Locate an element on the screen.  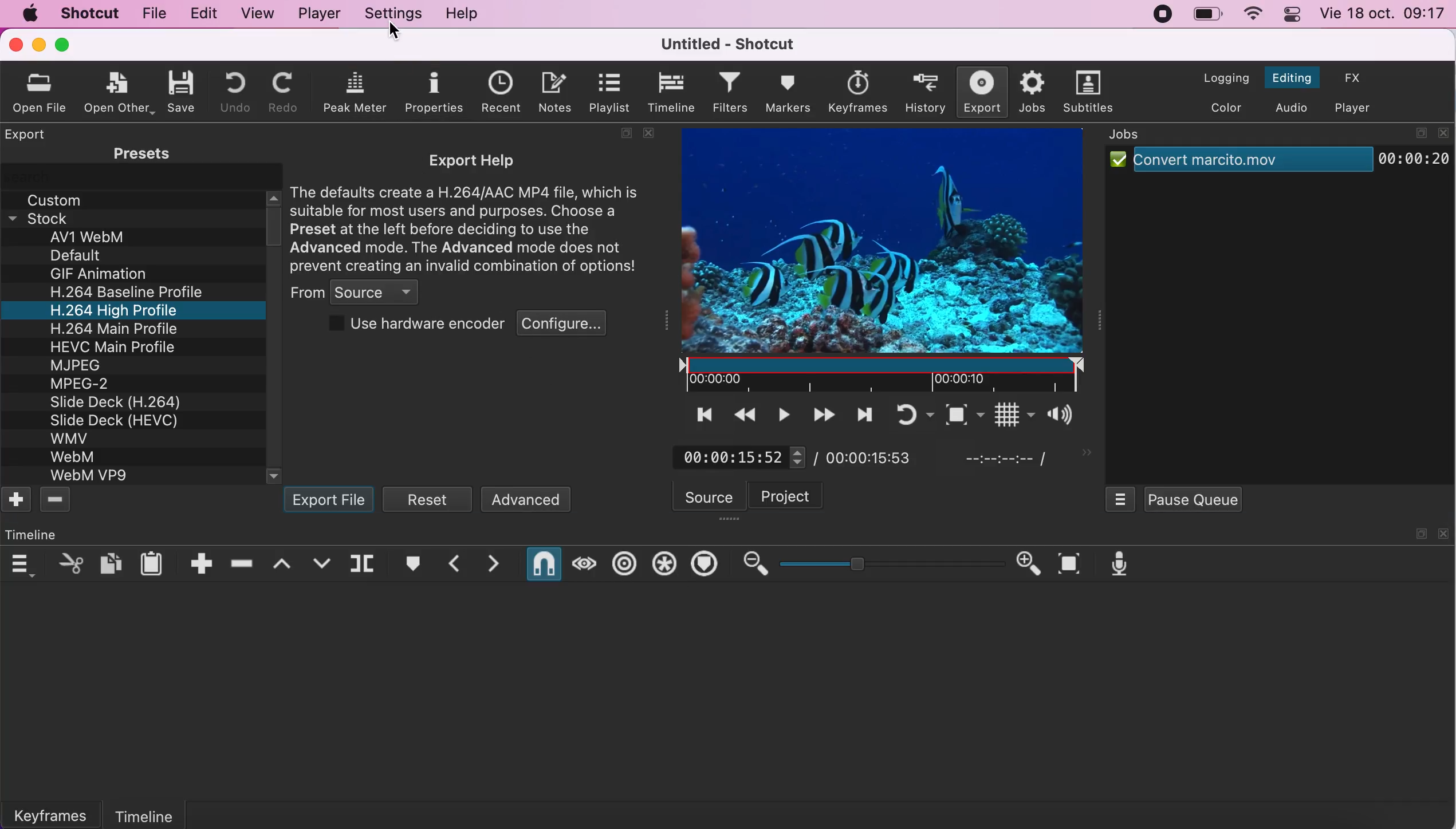
stock is located at coordinates (53, 217).